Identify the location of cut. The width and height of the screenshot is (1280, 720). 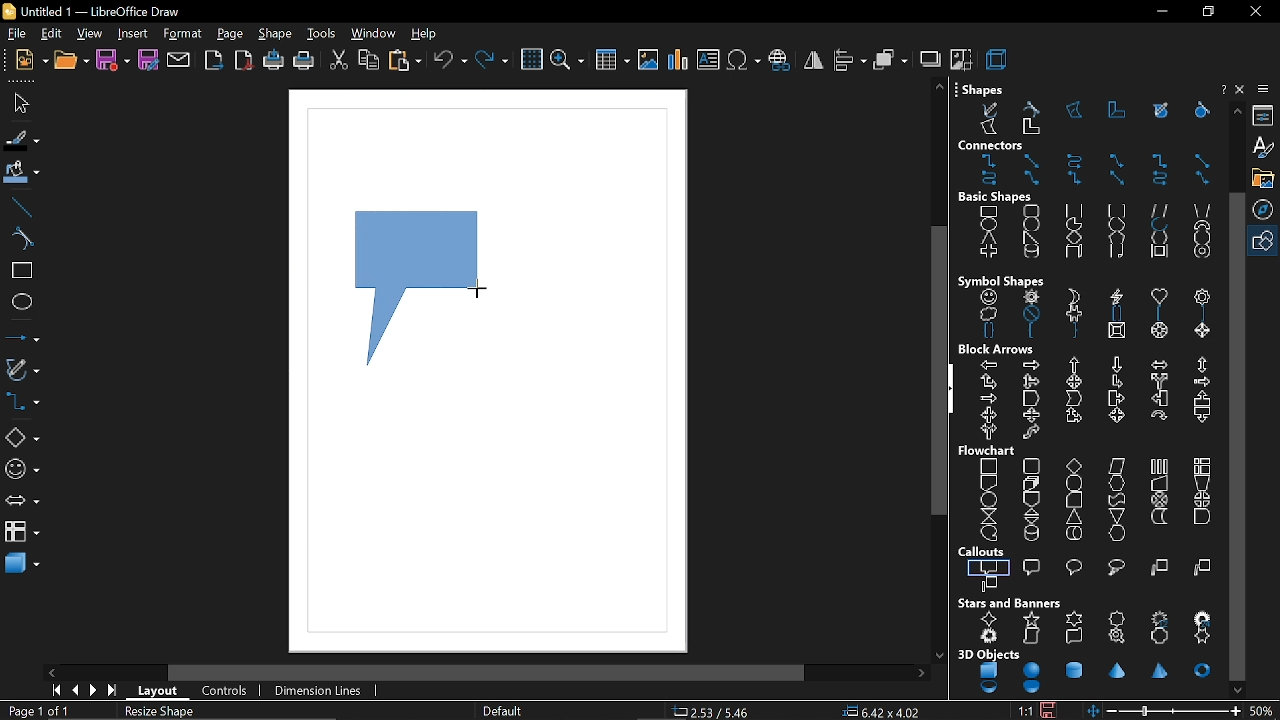
(338, 61).